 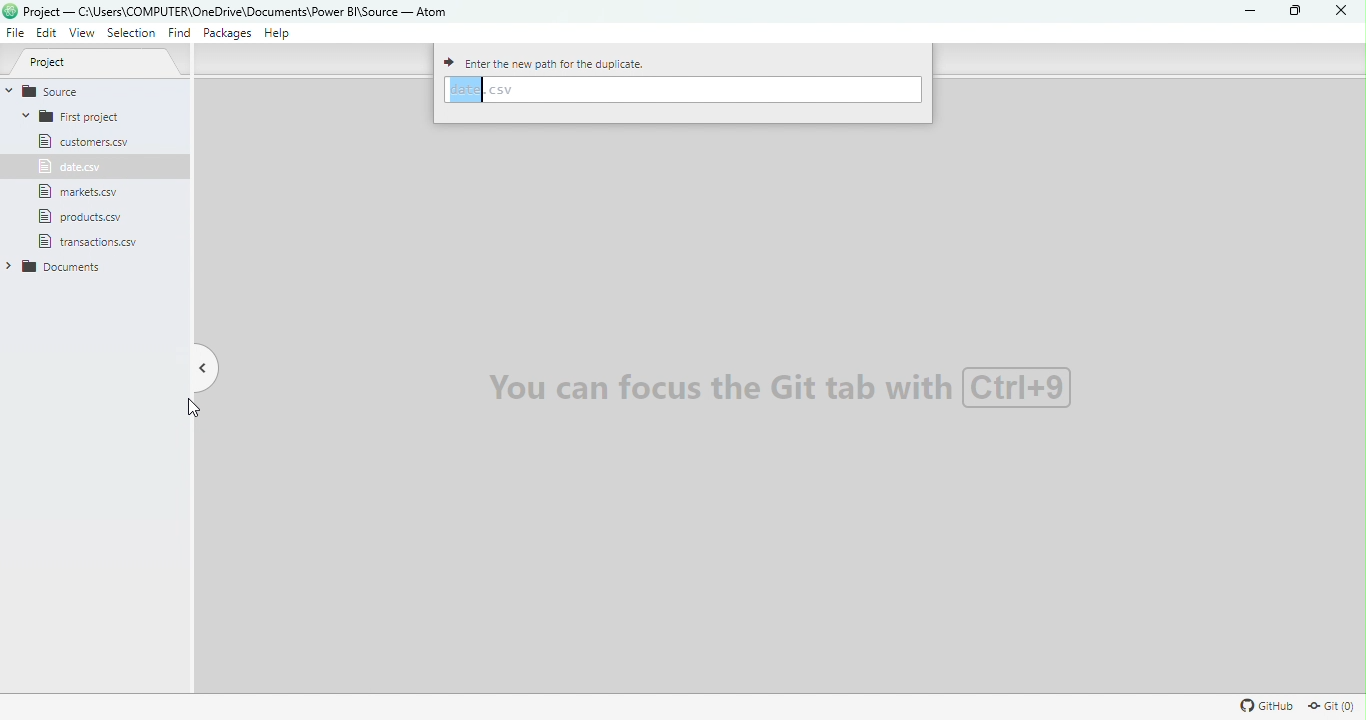 I want to click on Maximize, so click(x=1291, y=11).